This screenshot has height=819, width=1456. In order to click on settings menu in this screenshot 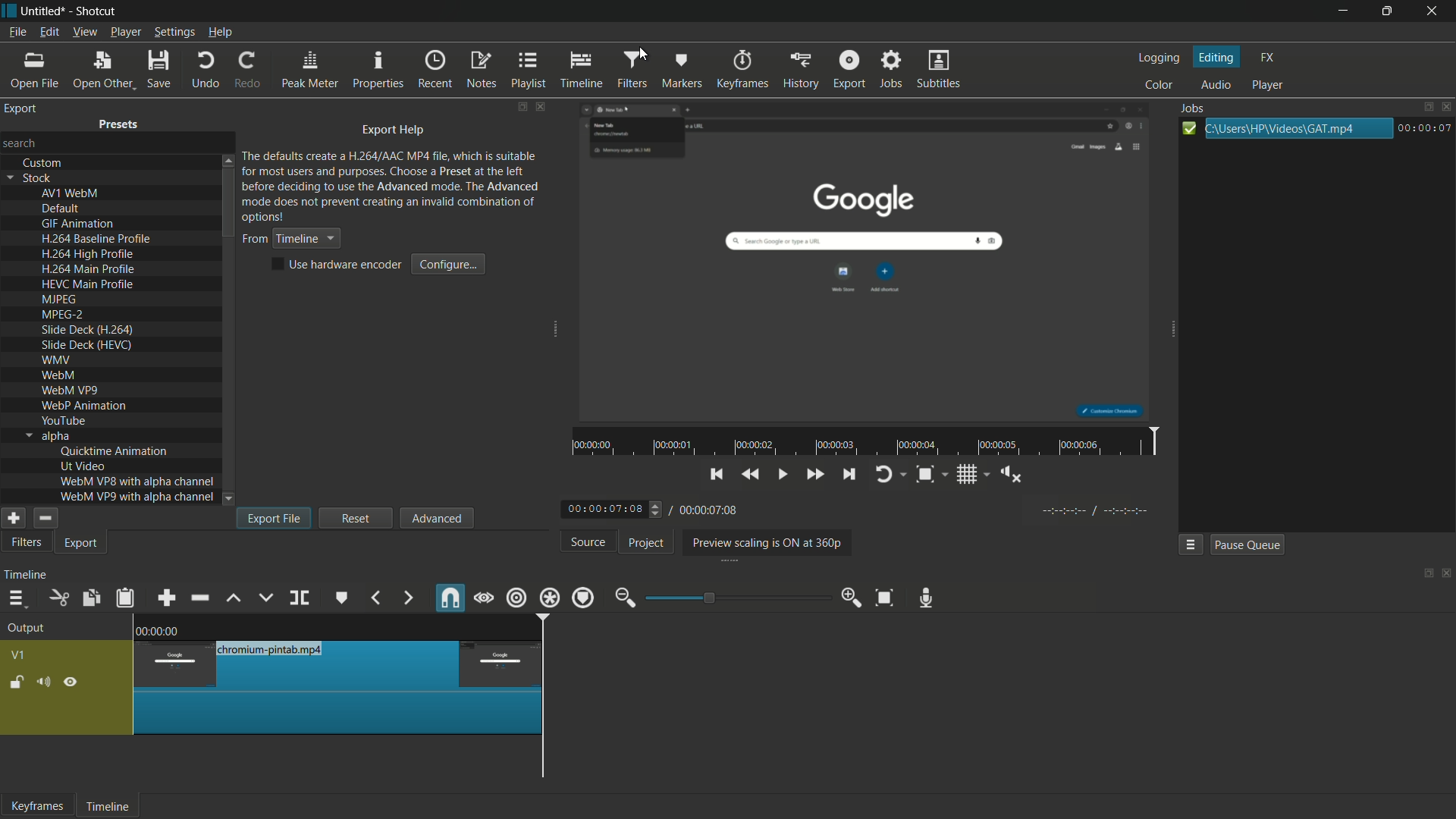, I will do `click(174, 33)`.